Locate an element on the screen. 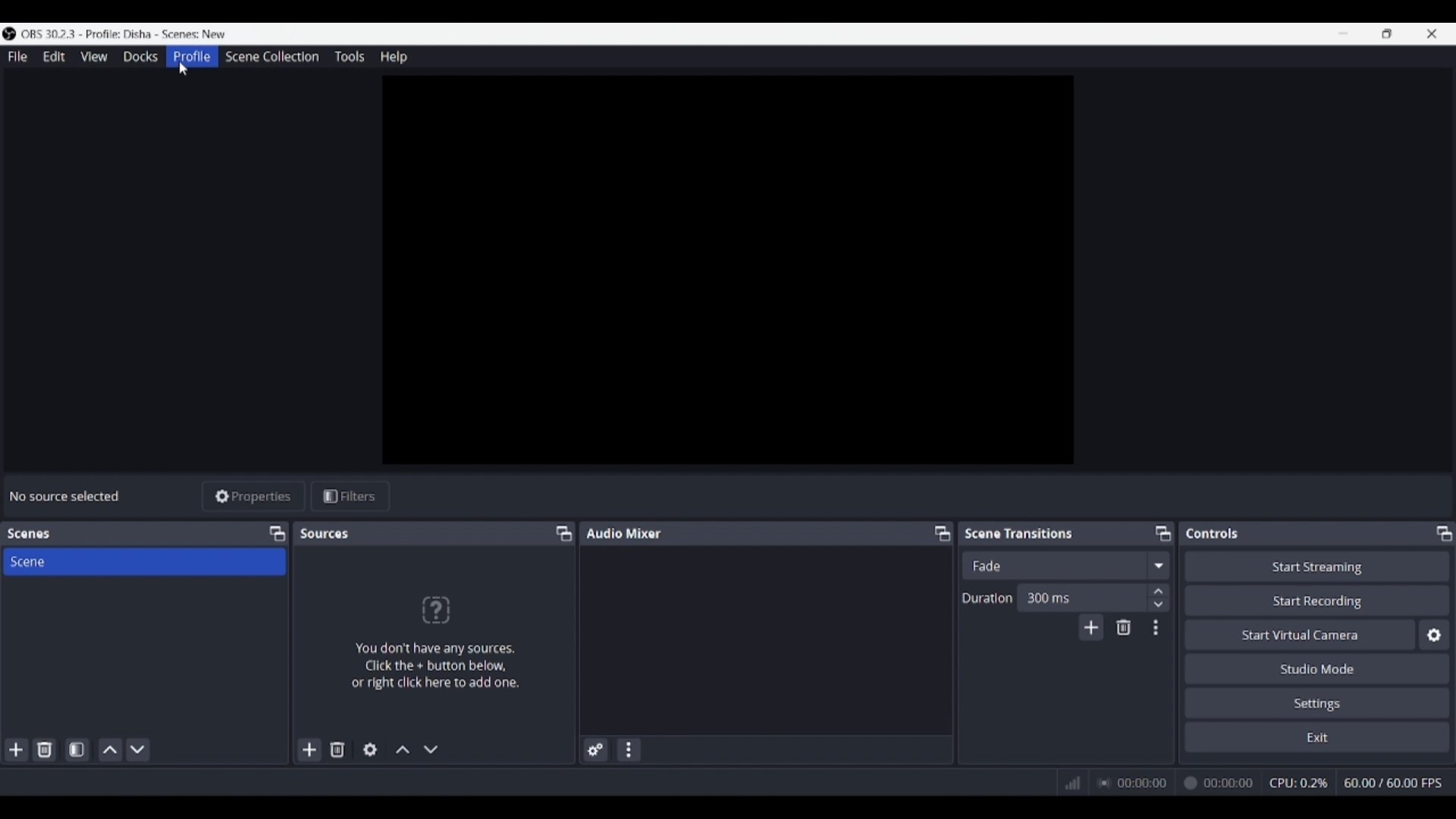 This screenshot has width=1456, height=819. Start virtual camera is located at coordinates (1300, 634).